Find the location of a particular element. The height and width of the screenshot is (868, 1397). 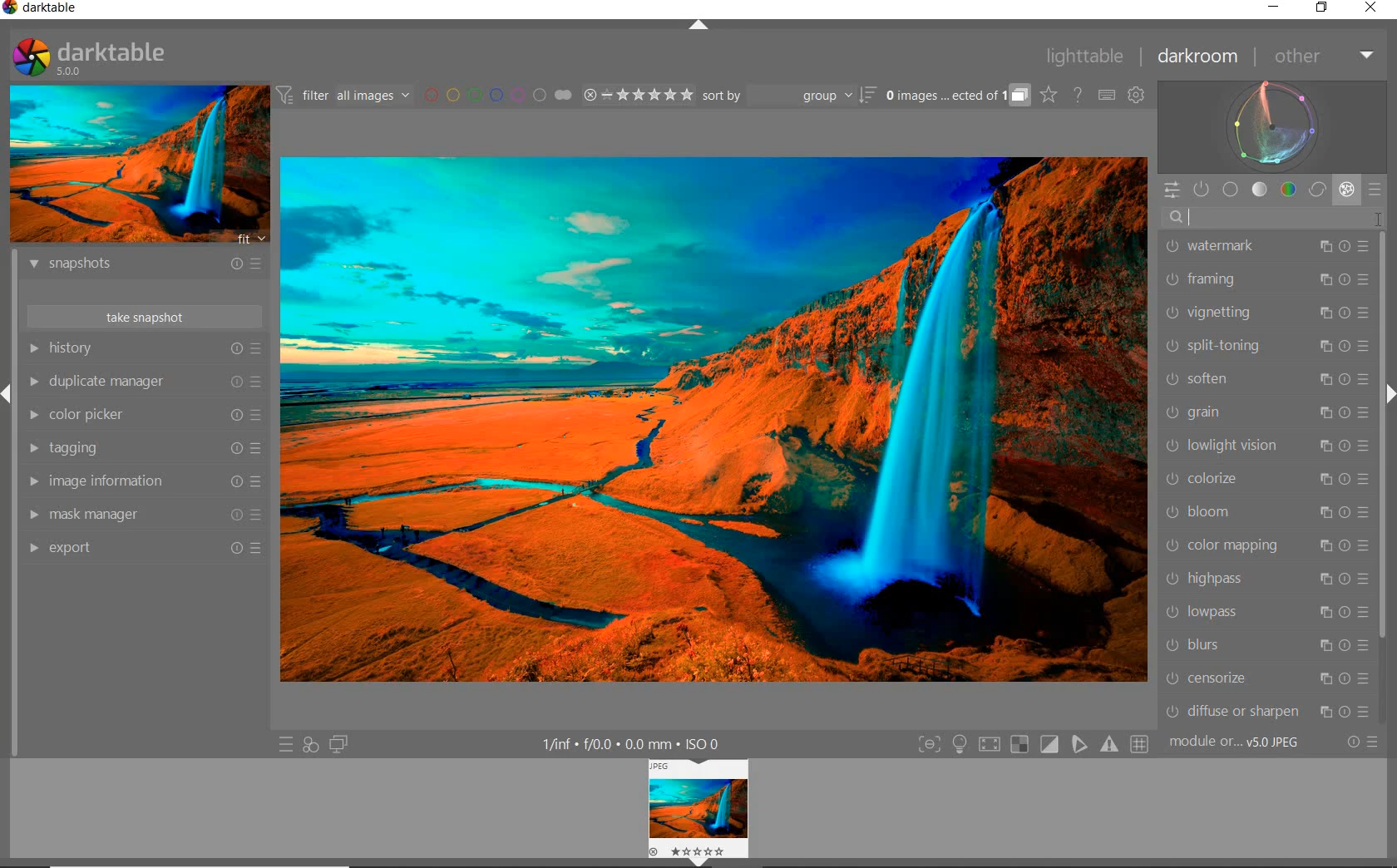

blurs is located at coordinates (1265, 646).